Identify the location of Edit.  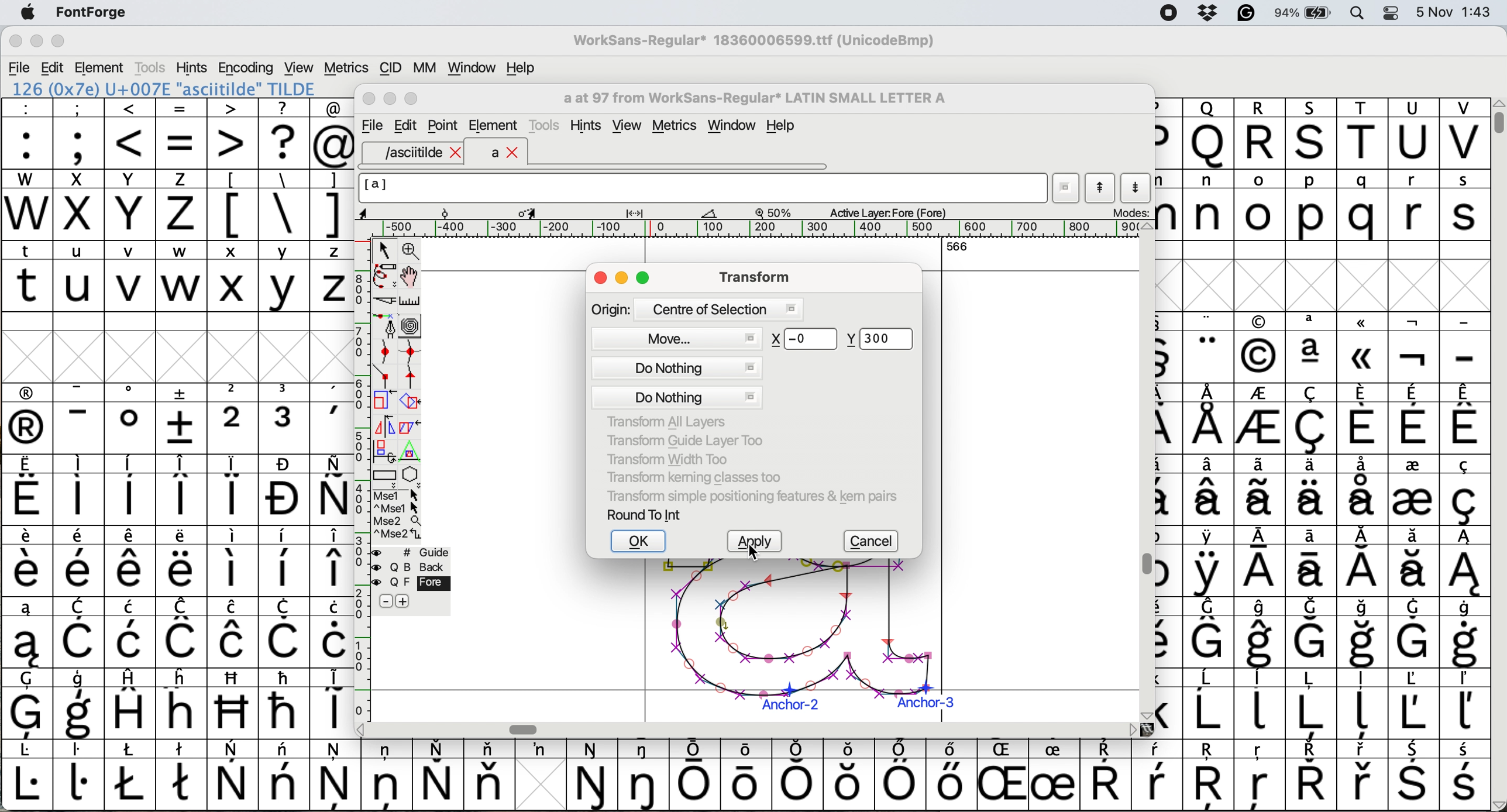
(405, 125).